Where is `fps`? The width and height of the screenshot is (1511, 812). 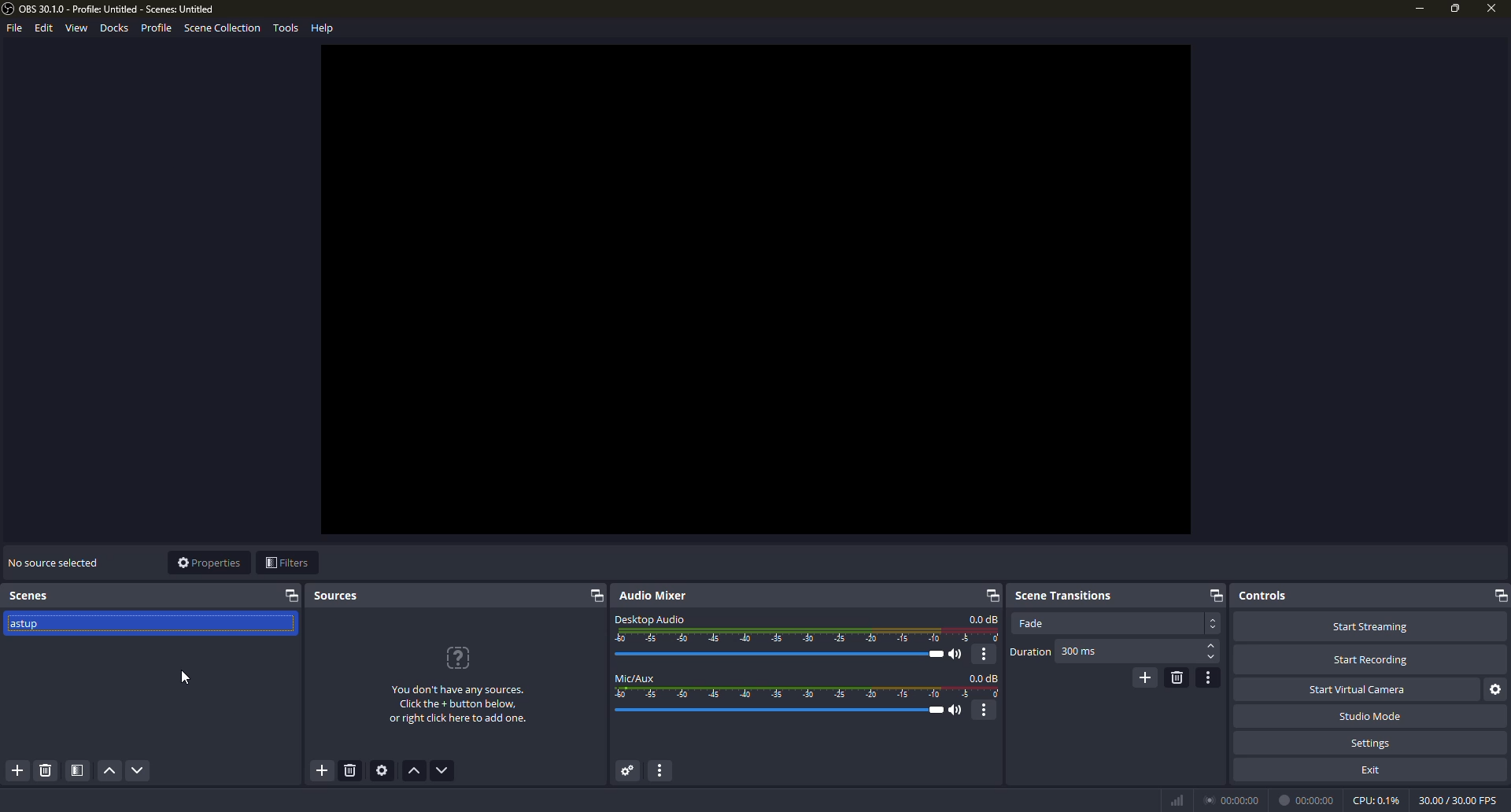
fps is located at coordinates (1456, 799).